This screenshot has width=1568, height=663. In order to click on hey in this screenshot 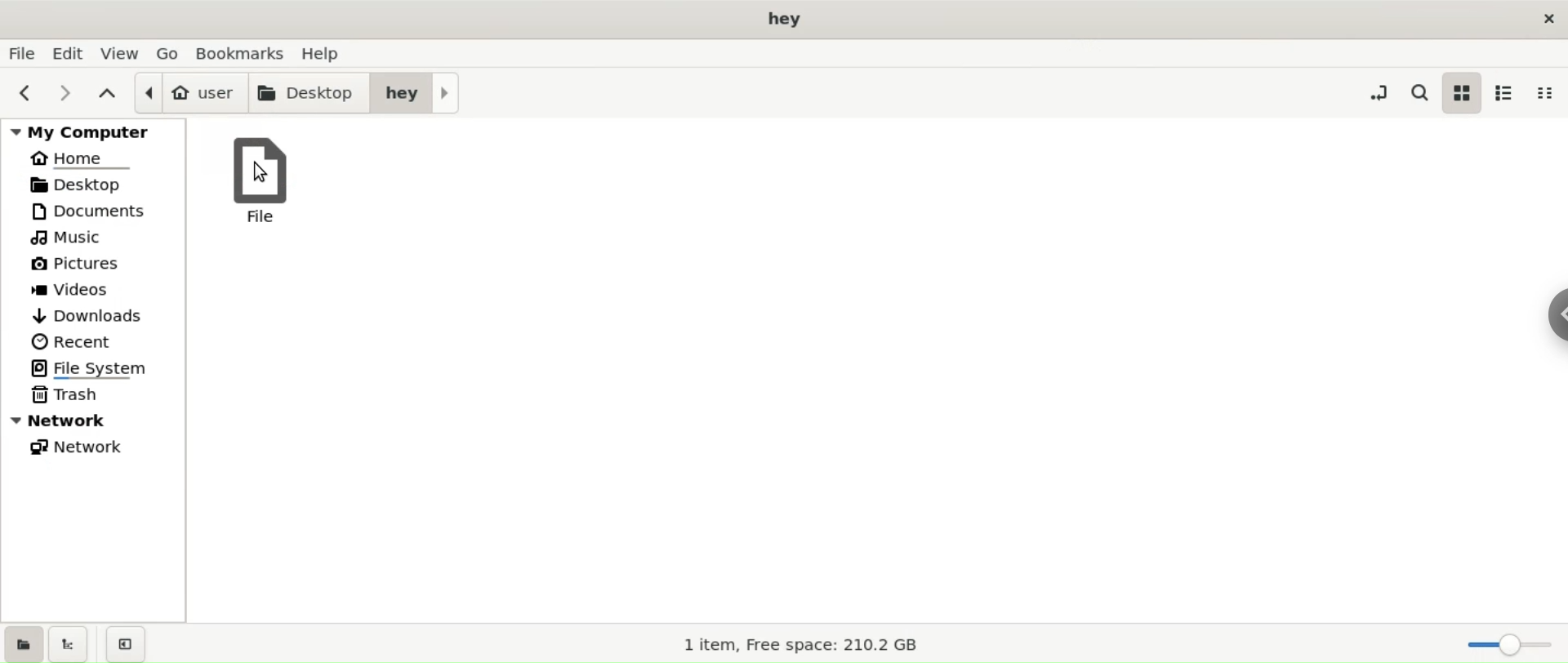, I will do `click(416, 91)`.